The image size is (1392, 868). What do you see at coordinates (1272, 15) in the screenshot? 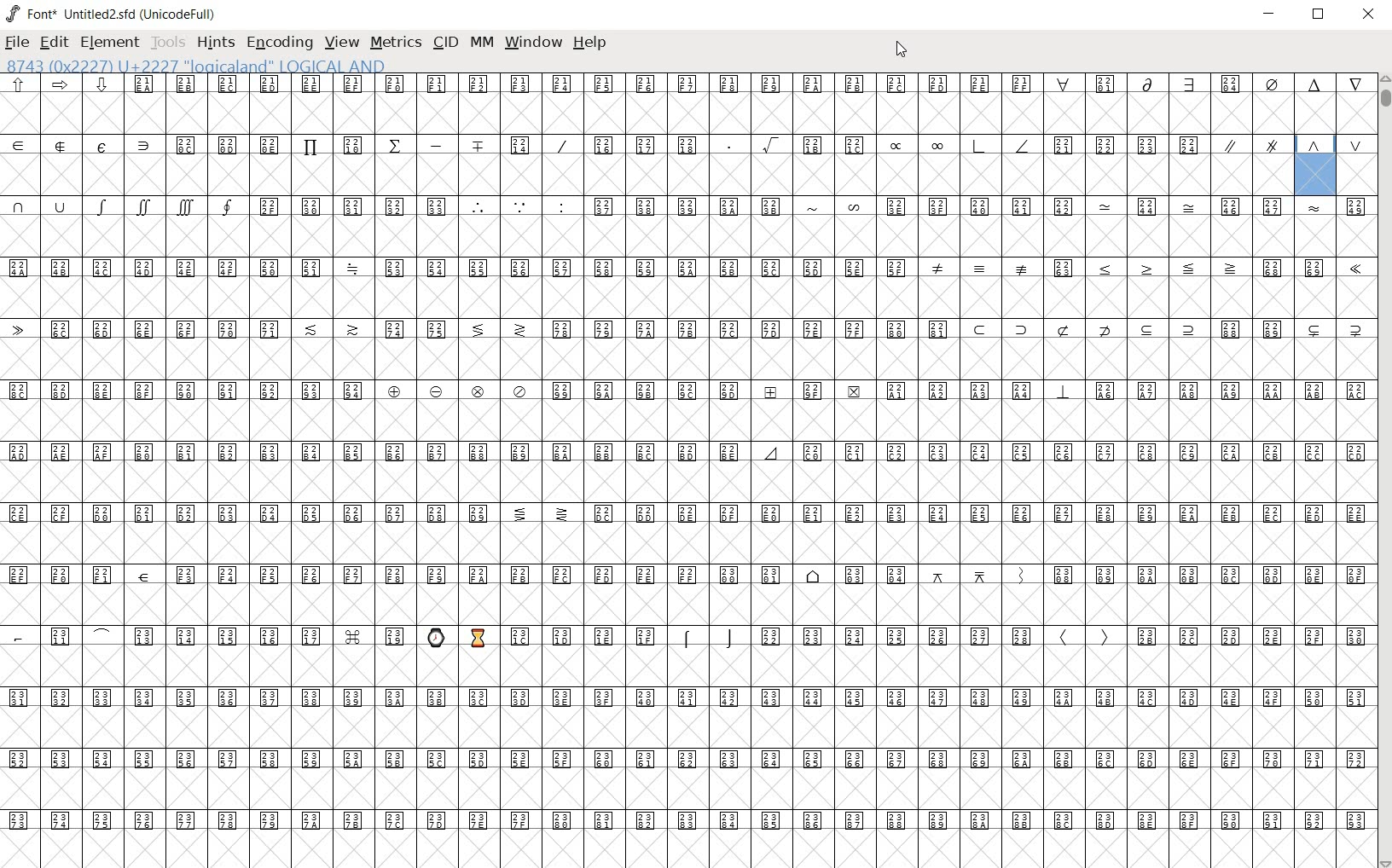
I see `minimize` at bounding box center [1272, 15].